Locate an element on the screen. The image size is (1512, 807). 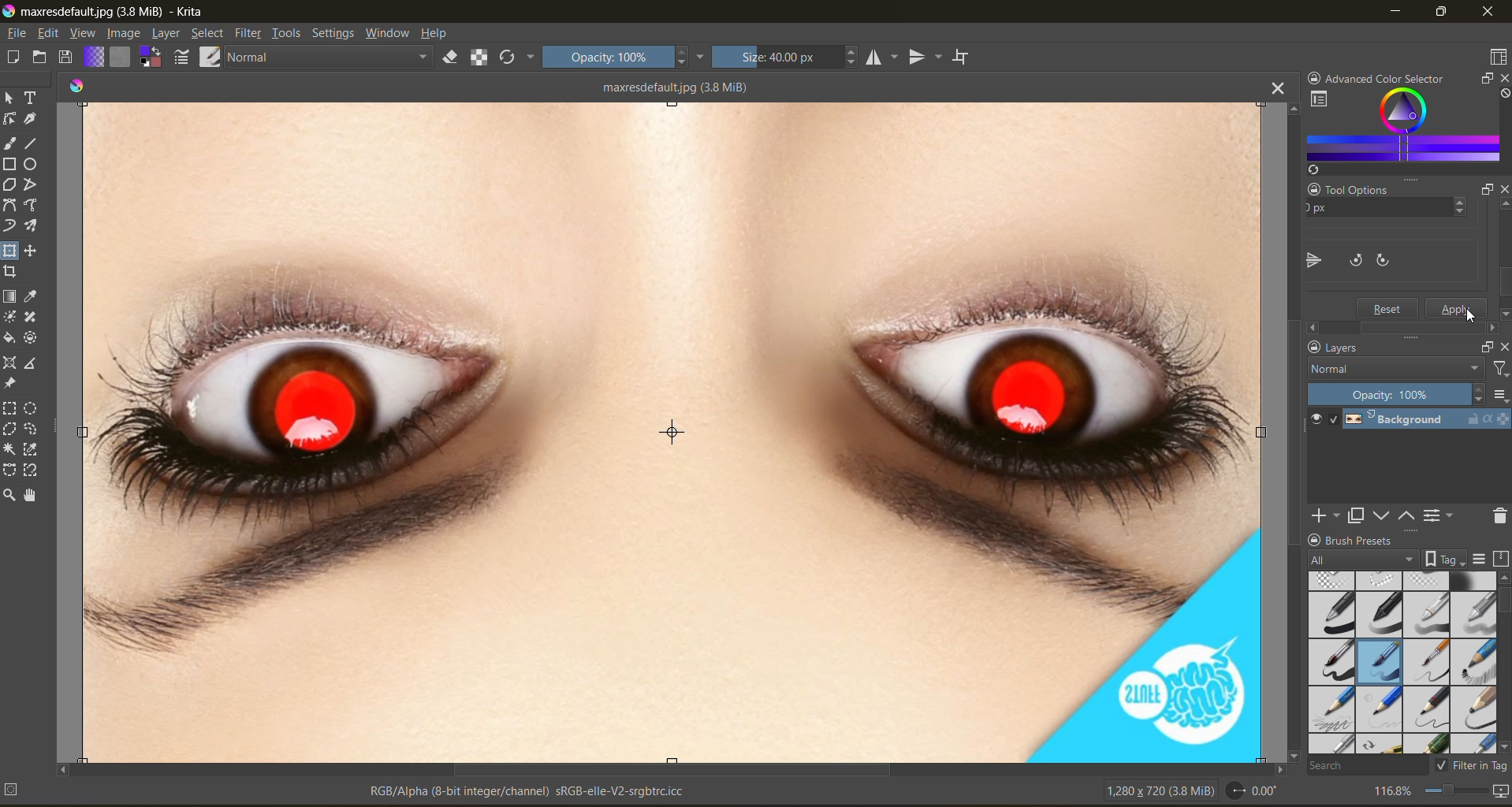
tool is located at coordinates (32, 318).